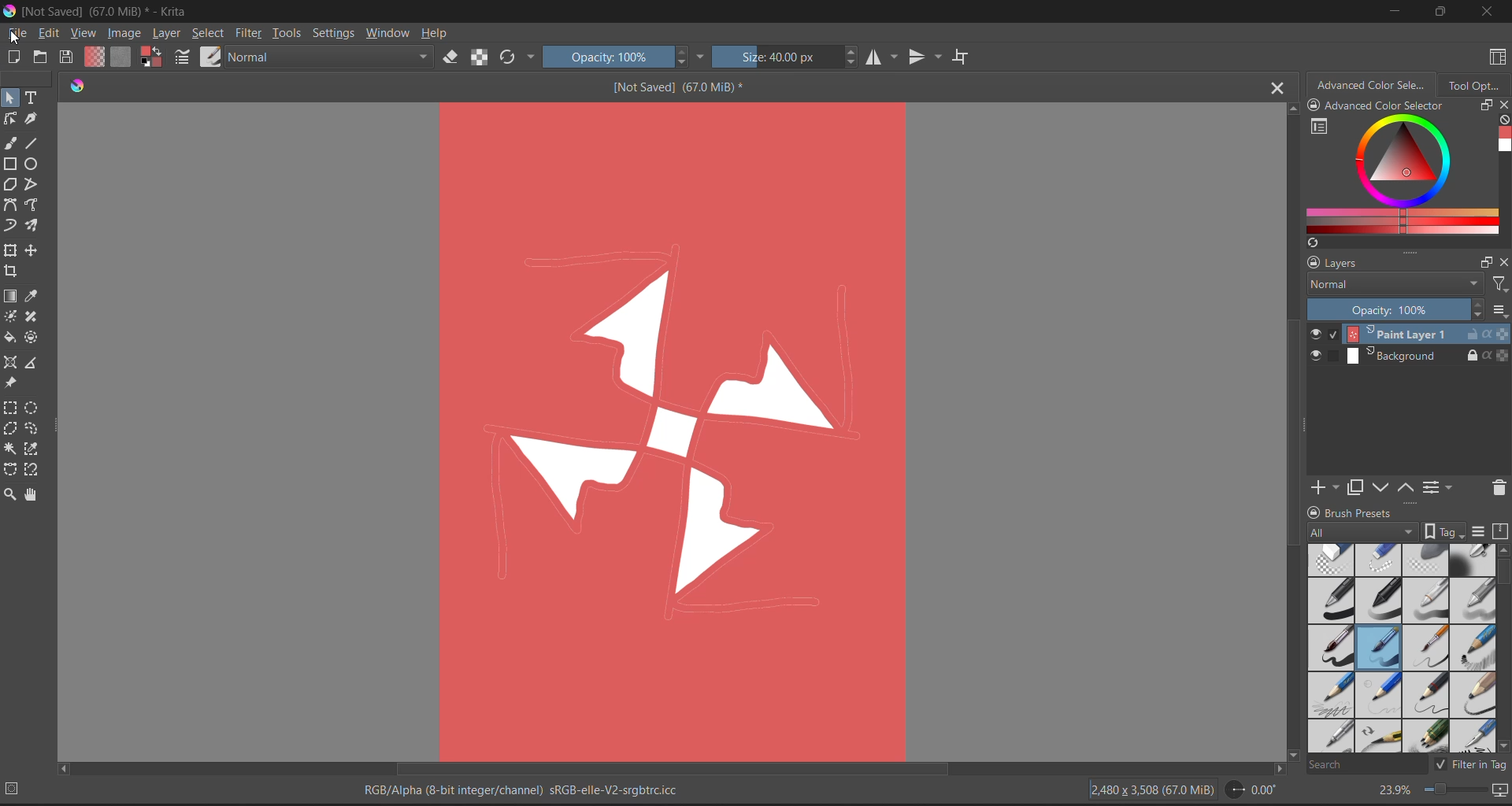 The height and width of the screenshot is (806, 1512). I want to click on tools, so click(35, 251).